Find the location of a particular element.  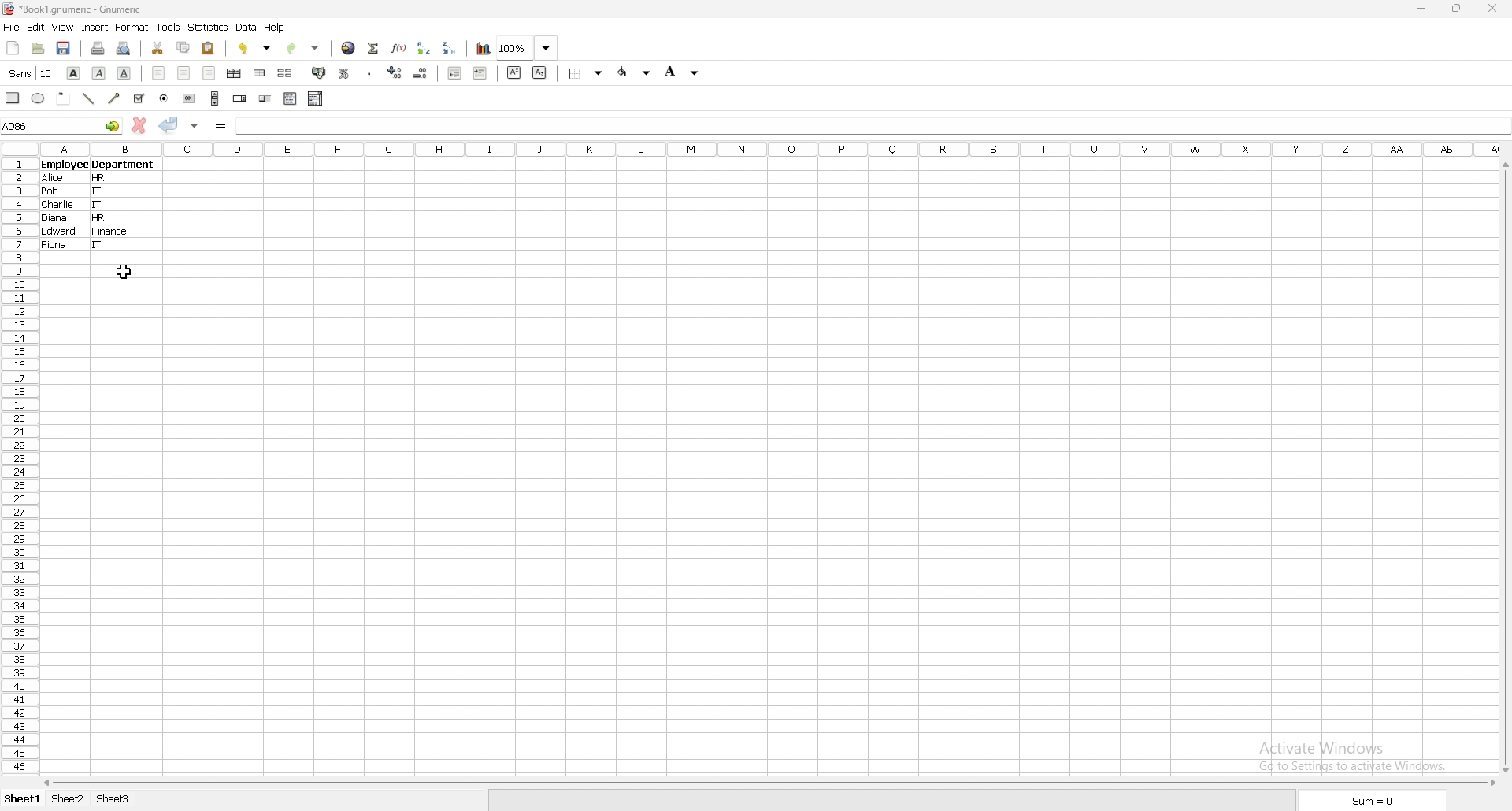

spin button is located at coordinates (239, 98).